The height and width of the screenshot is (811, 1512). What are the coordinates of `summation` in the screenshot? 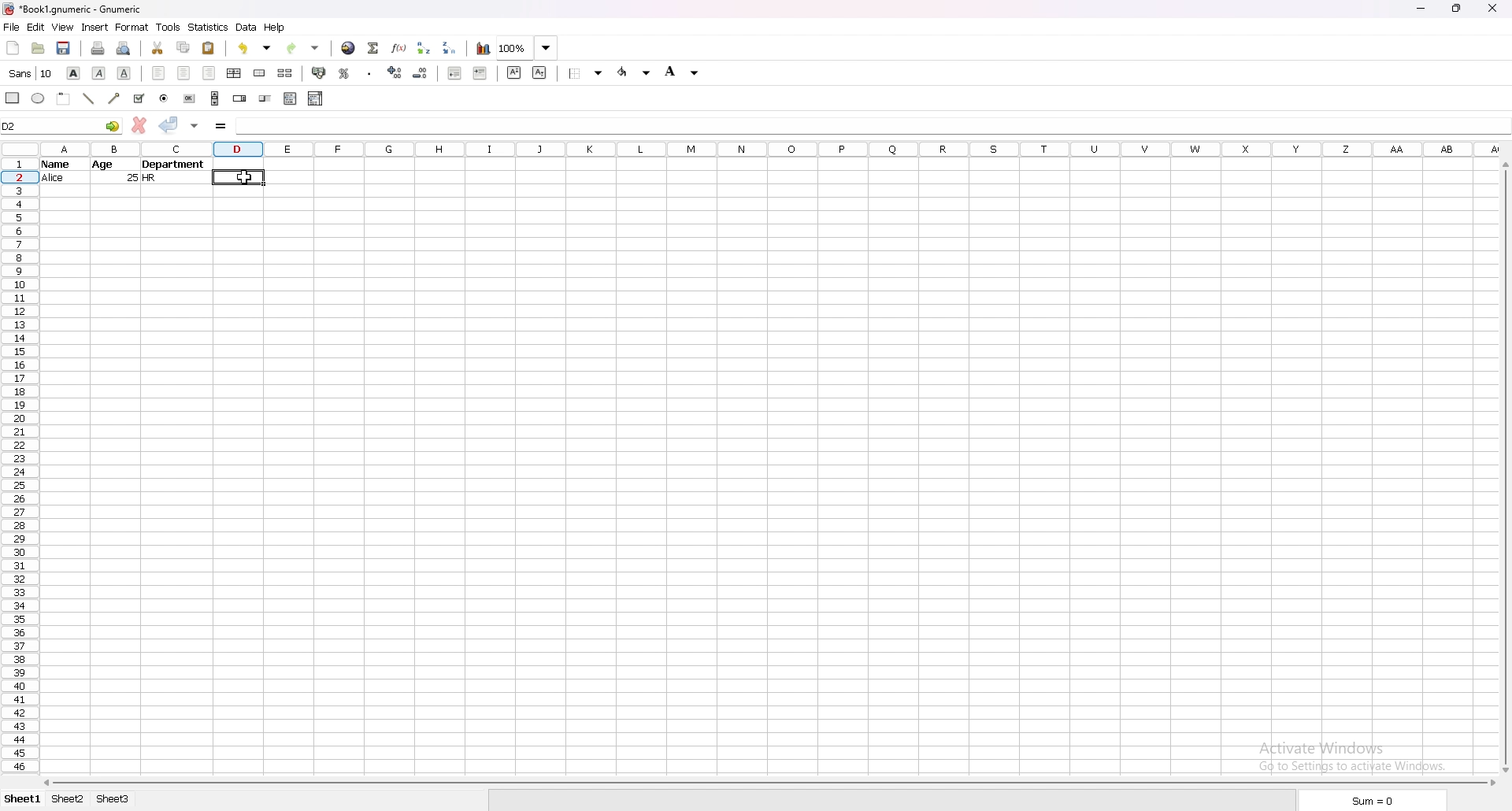 It's located at (373, 47).